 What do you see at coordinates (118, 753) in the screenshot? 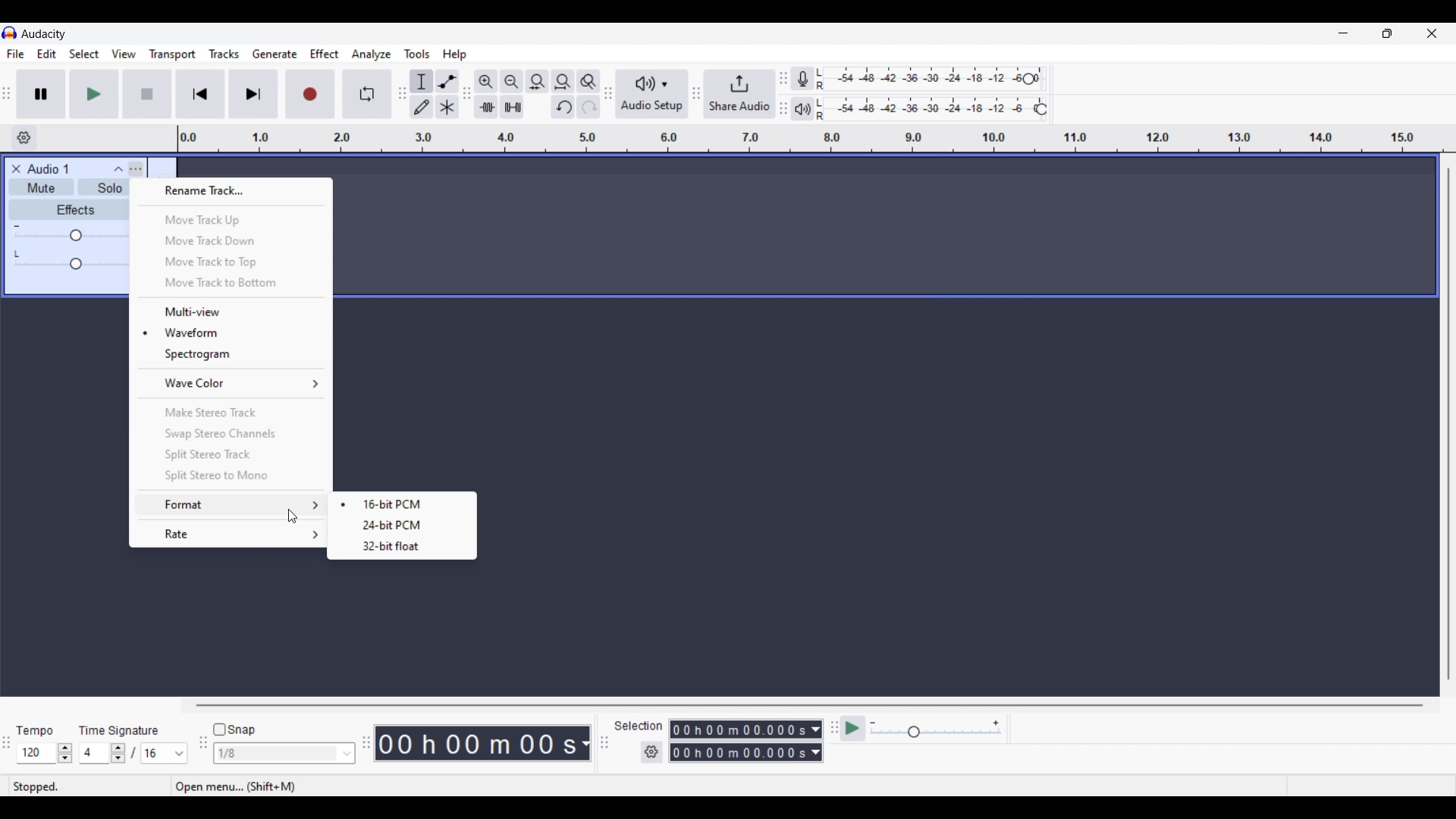
I see `Increase/Decrease time signature` at bounding box center [118, 753].